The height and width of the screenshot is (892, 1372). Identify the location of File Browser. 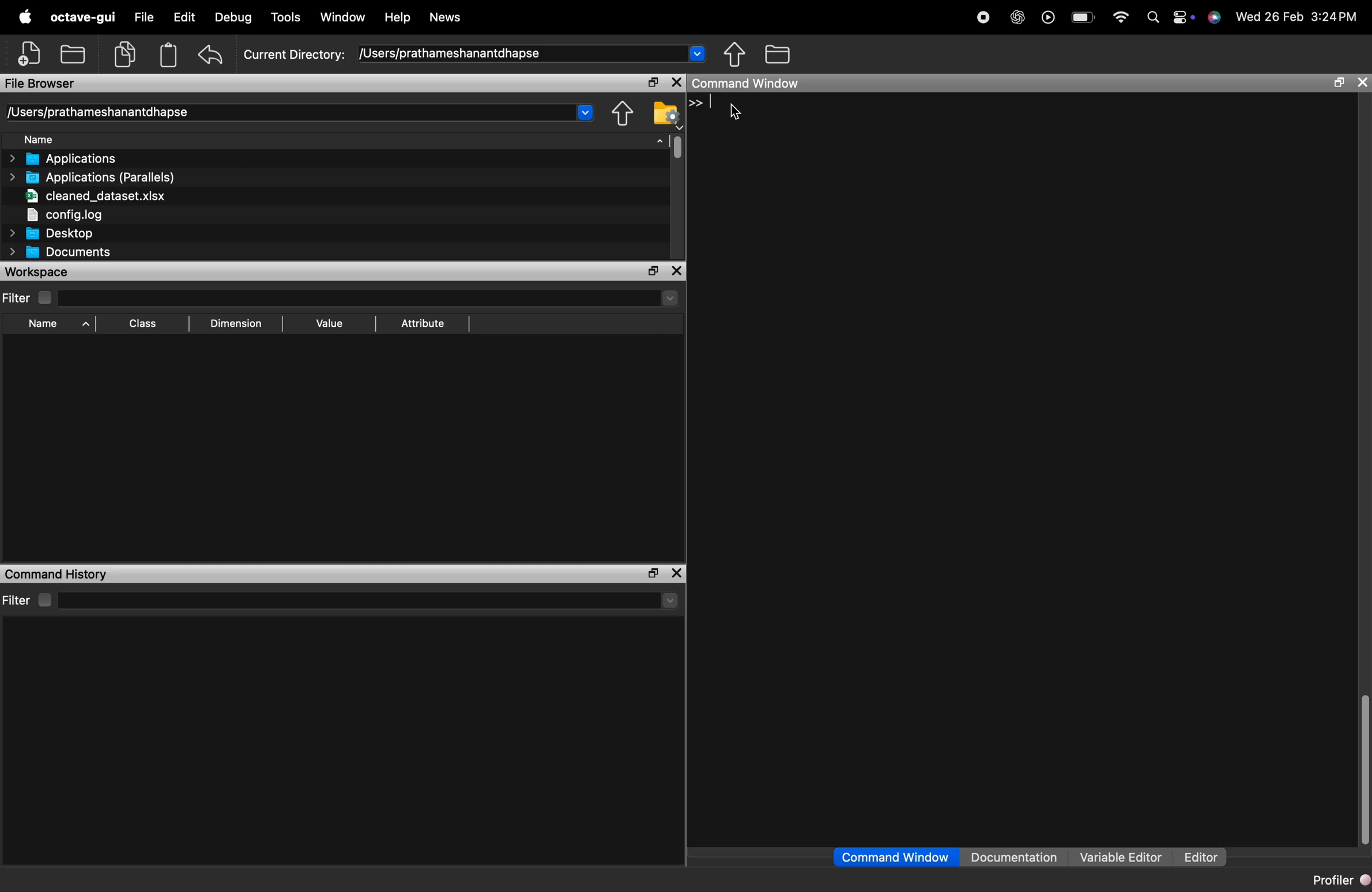
(47, 82).